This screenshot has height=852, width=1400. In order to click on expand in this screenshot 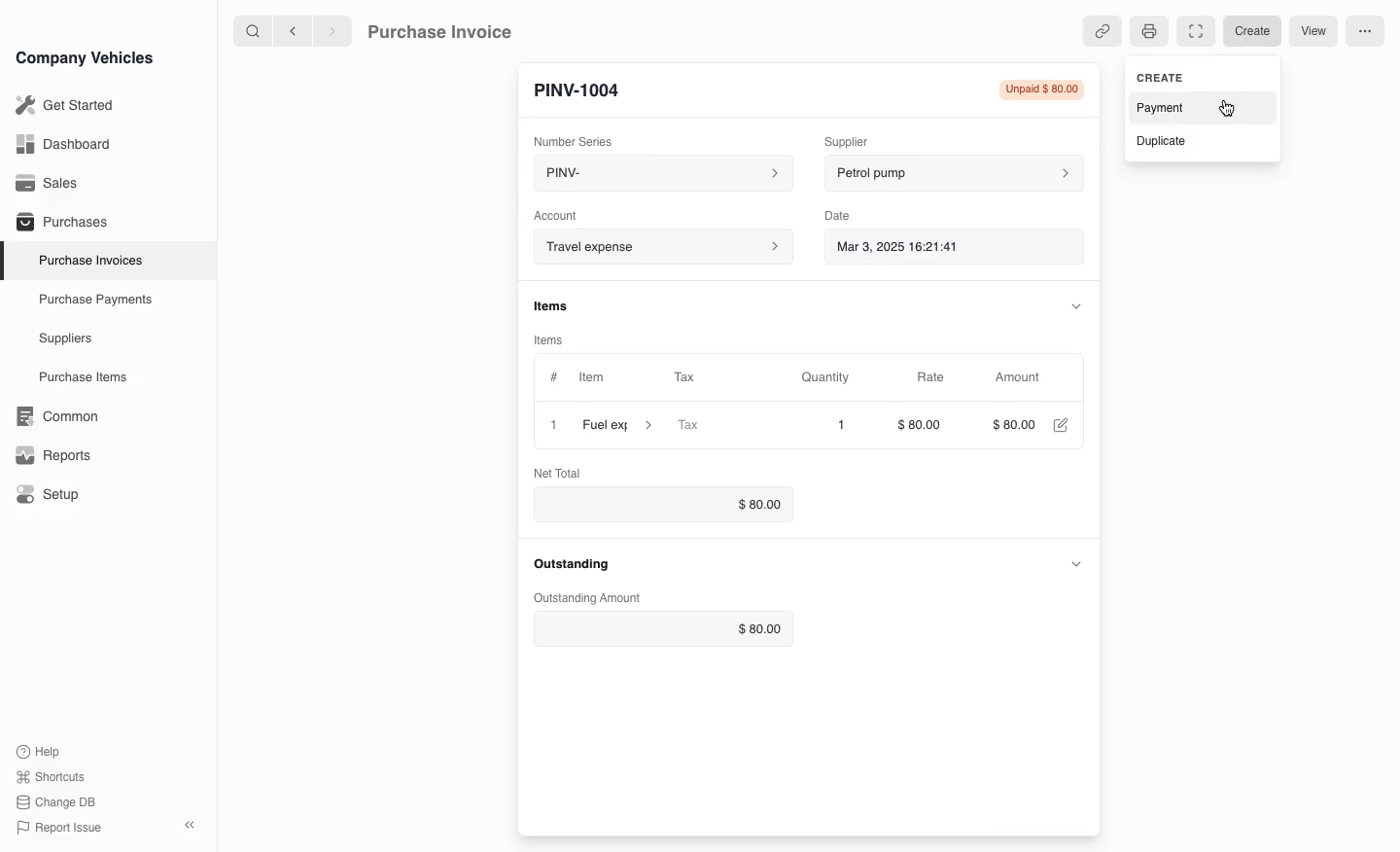, I will do `click(1078, 564)`.